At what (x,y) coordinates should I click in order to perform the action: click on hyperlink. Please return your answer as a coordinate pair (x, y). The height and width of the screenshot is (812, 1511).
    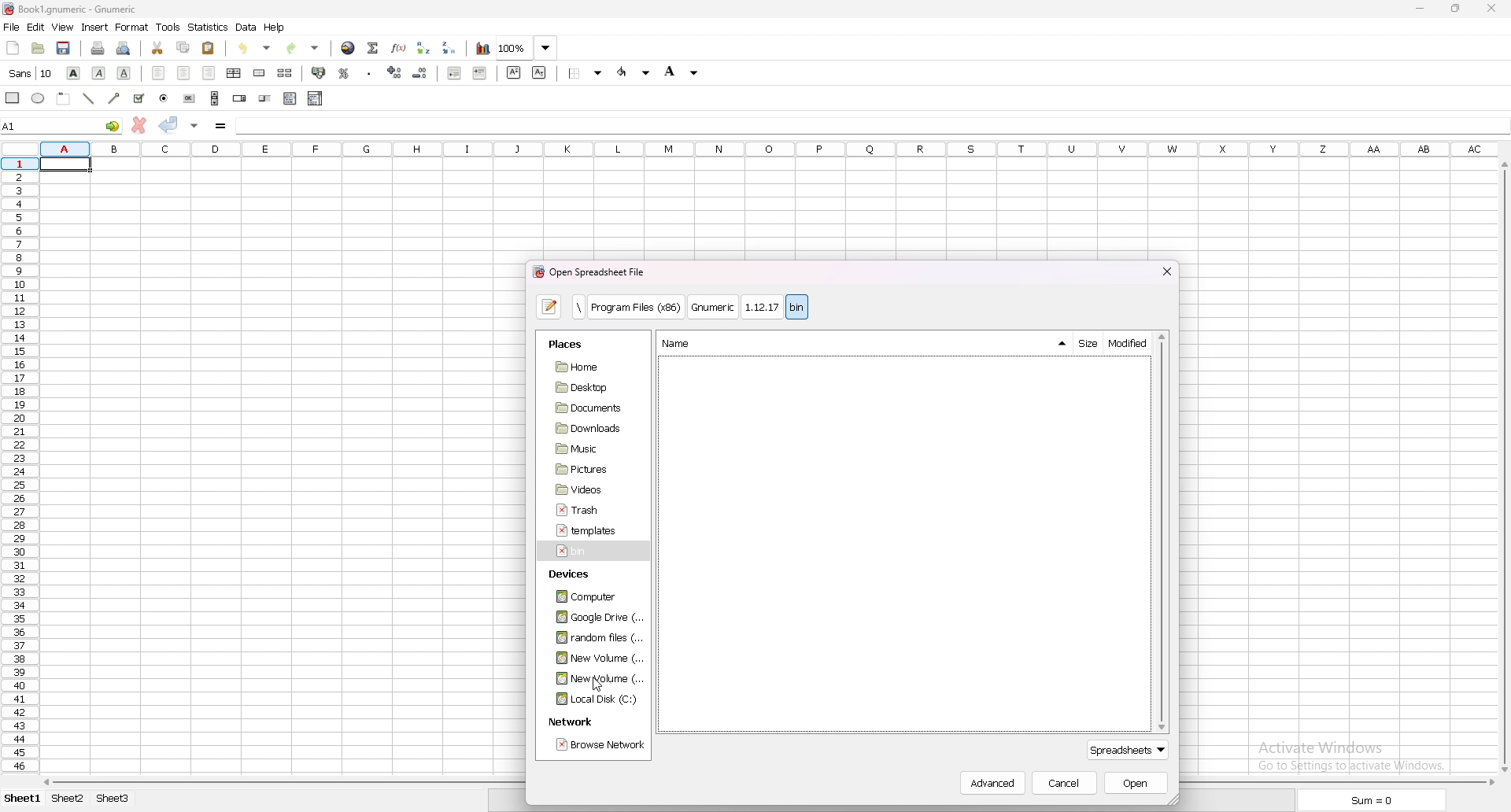
    Looking at the image, I should click on (347, 48).